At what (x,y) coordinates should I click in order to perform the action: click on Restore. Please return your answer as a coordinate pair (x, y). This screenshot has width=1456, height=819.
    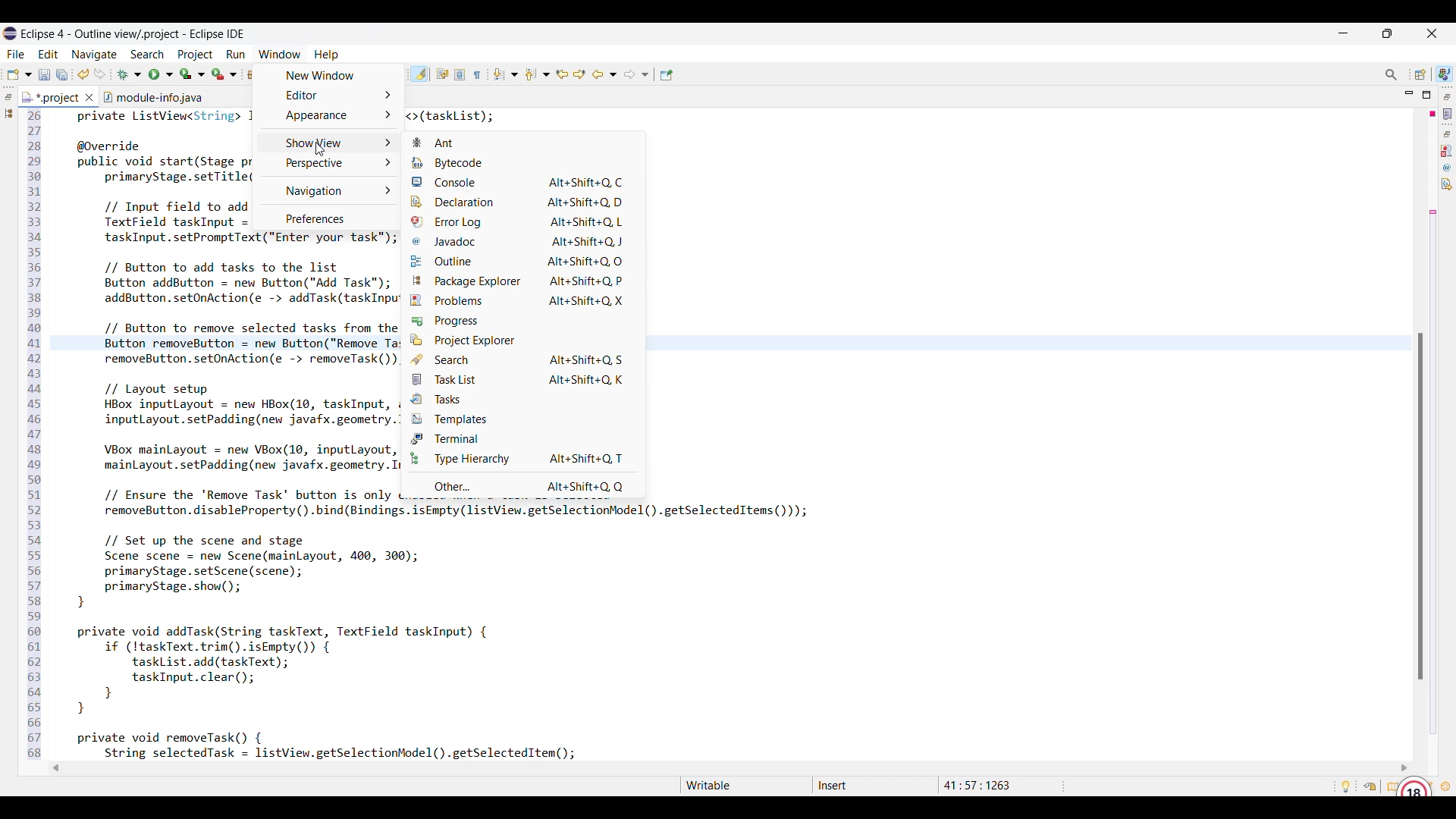
    Looking at the image, I should click on (1448, 96).